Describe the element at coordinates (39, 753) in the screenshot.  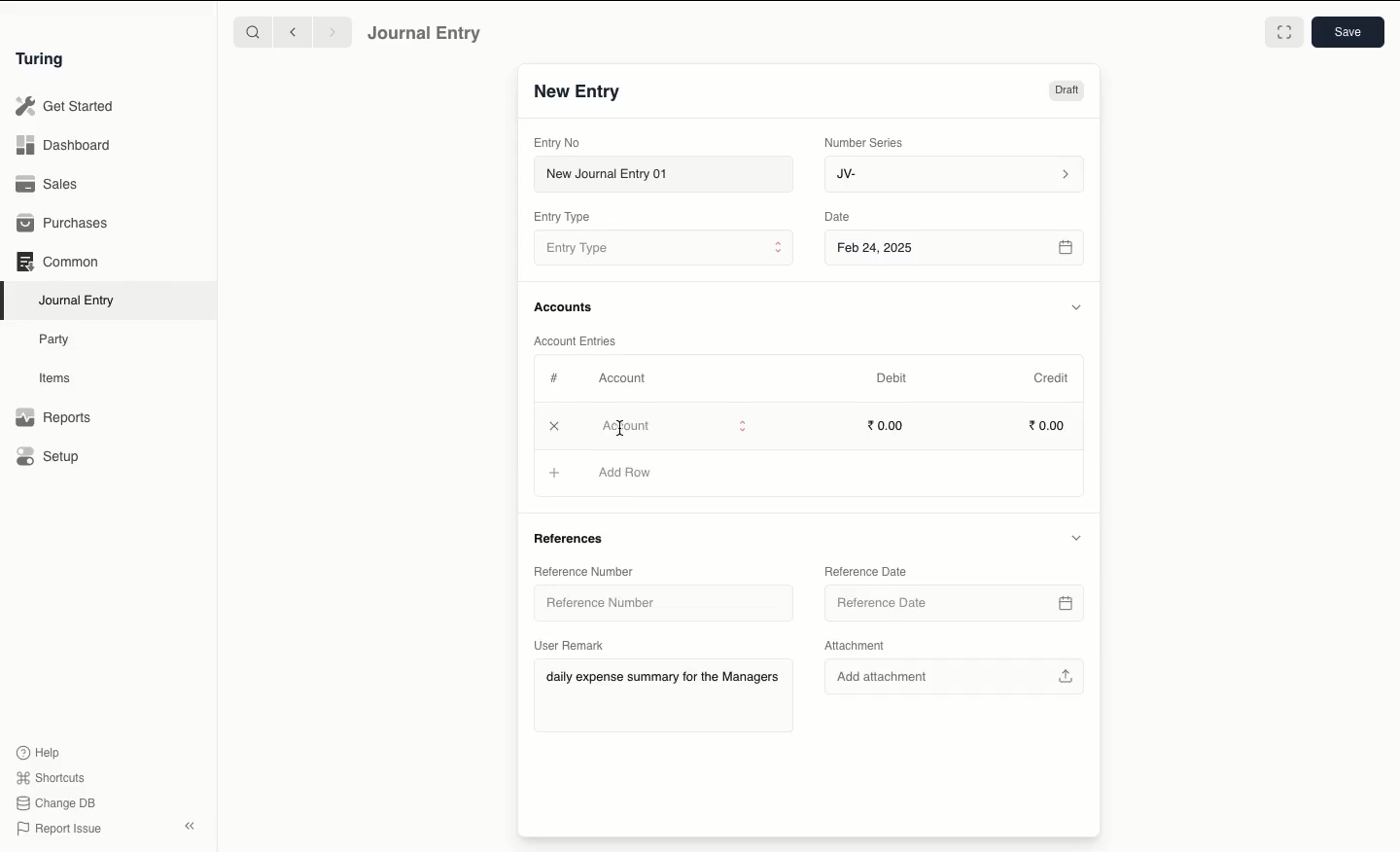
I see `Help` at that location.